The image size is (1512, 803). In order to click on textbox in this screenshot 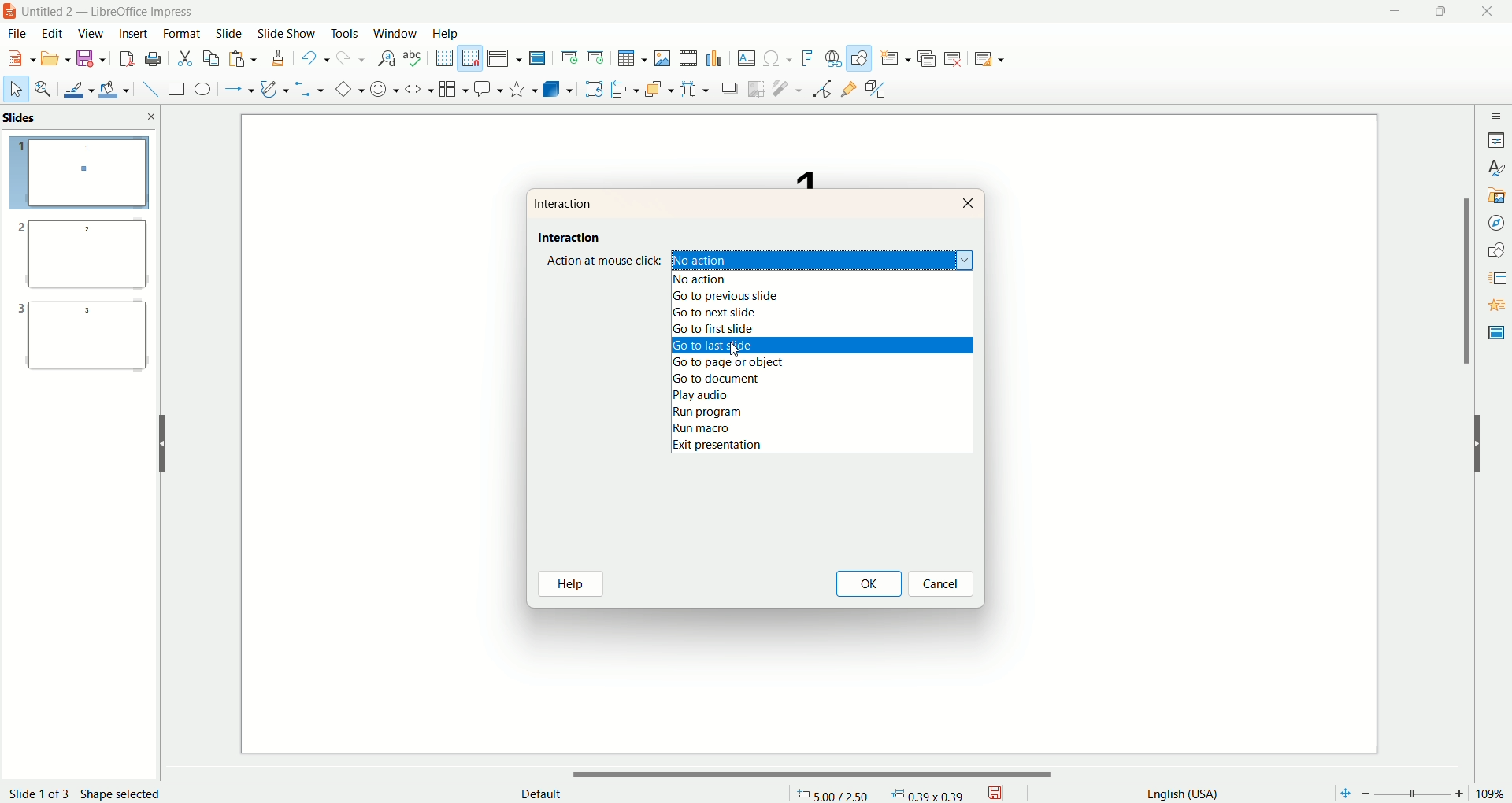, I will do `click(746, 58)`.